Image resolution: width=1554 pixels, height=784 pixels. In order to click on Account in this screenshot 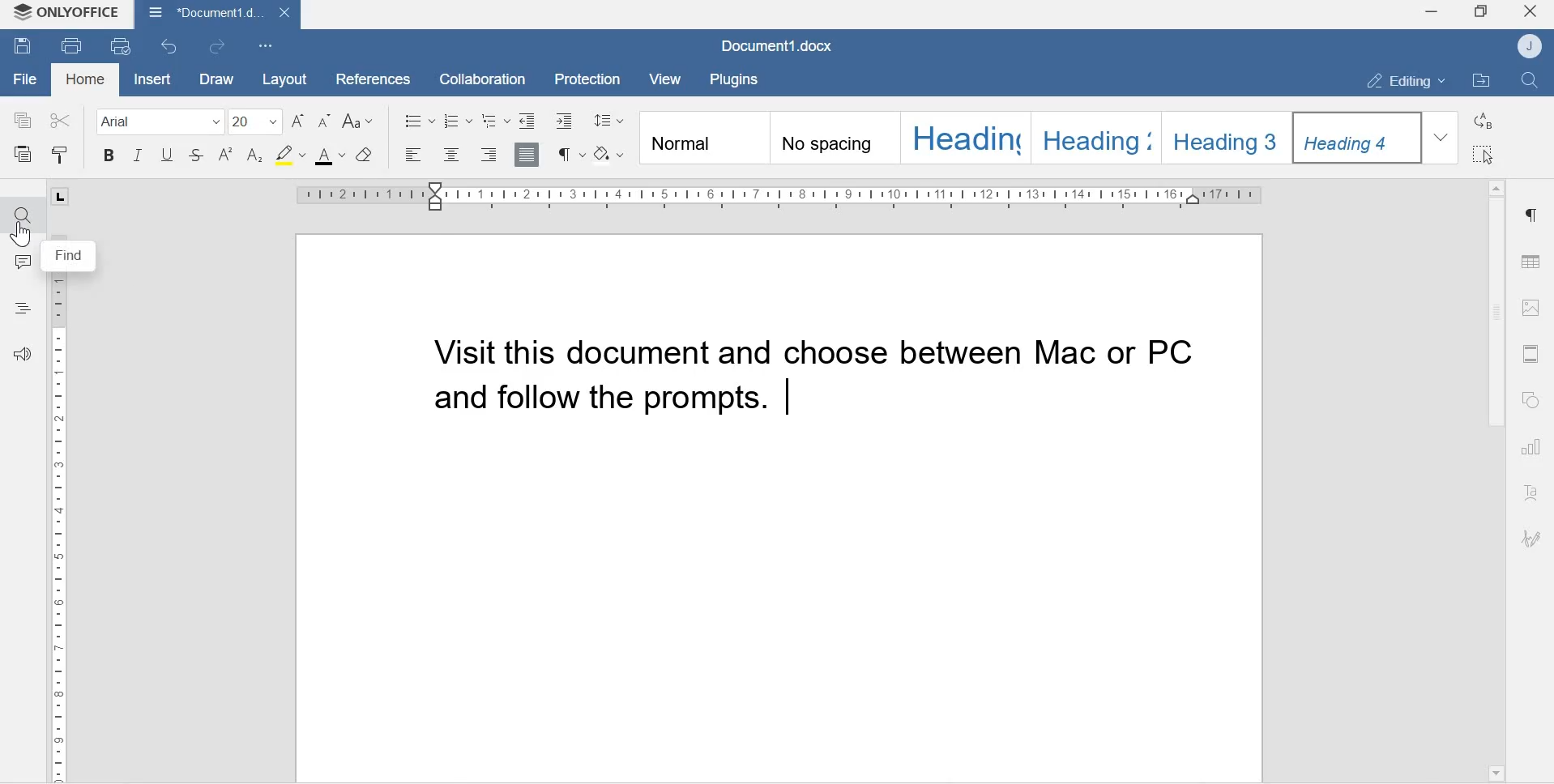, I will do `click(1532, 46)`.